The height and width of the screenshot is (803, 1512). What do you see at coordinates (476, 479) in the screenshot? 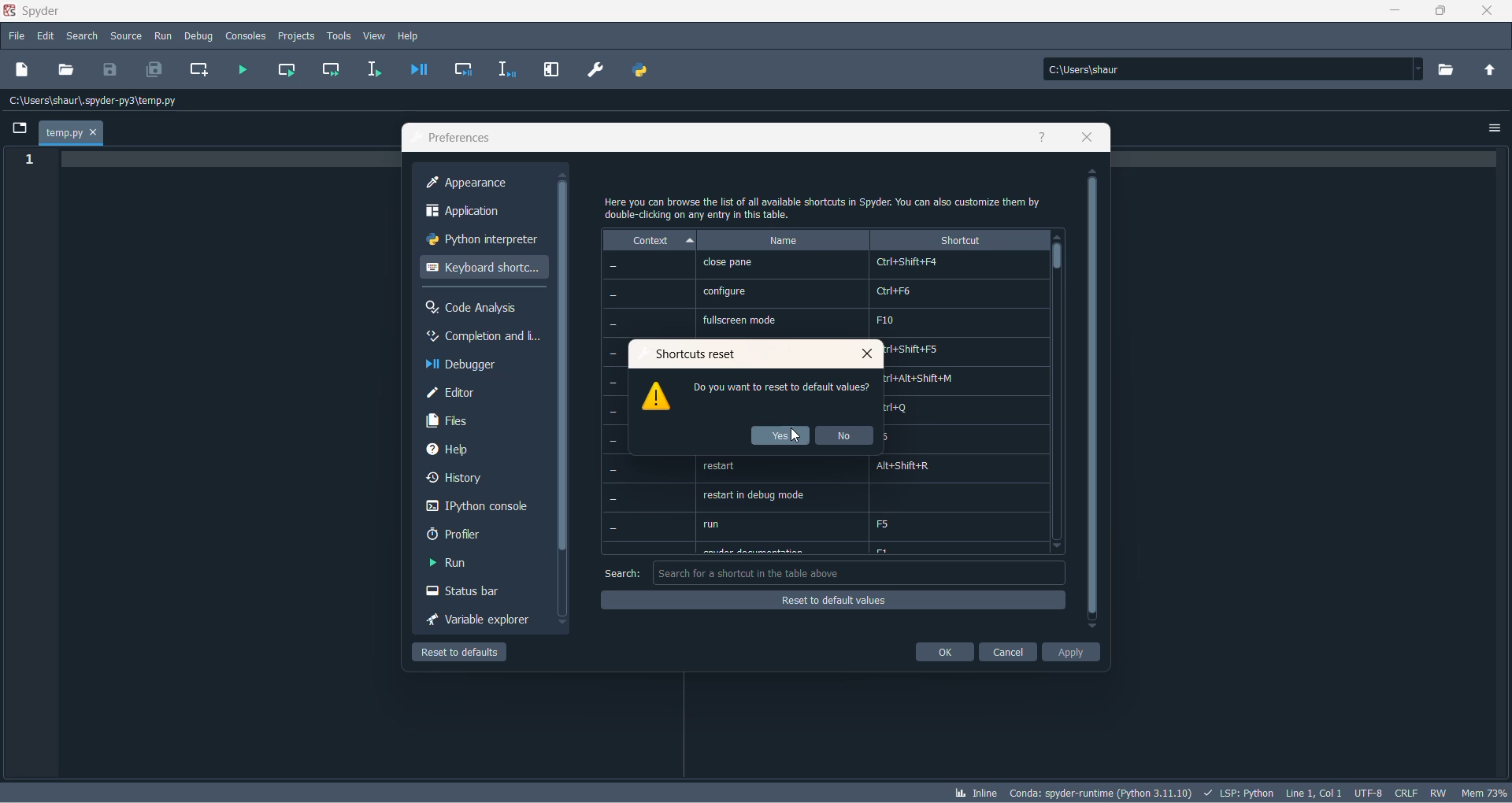
I see `history` at bounding box center [476, 479].